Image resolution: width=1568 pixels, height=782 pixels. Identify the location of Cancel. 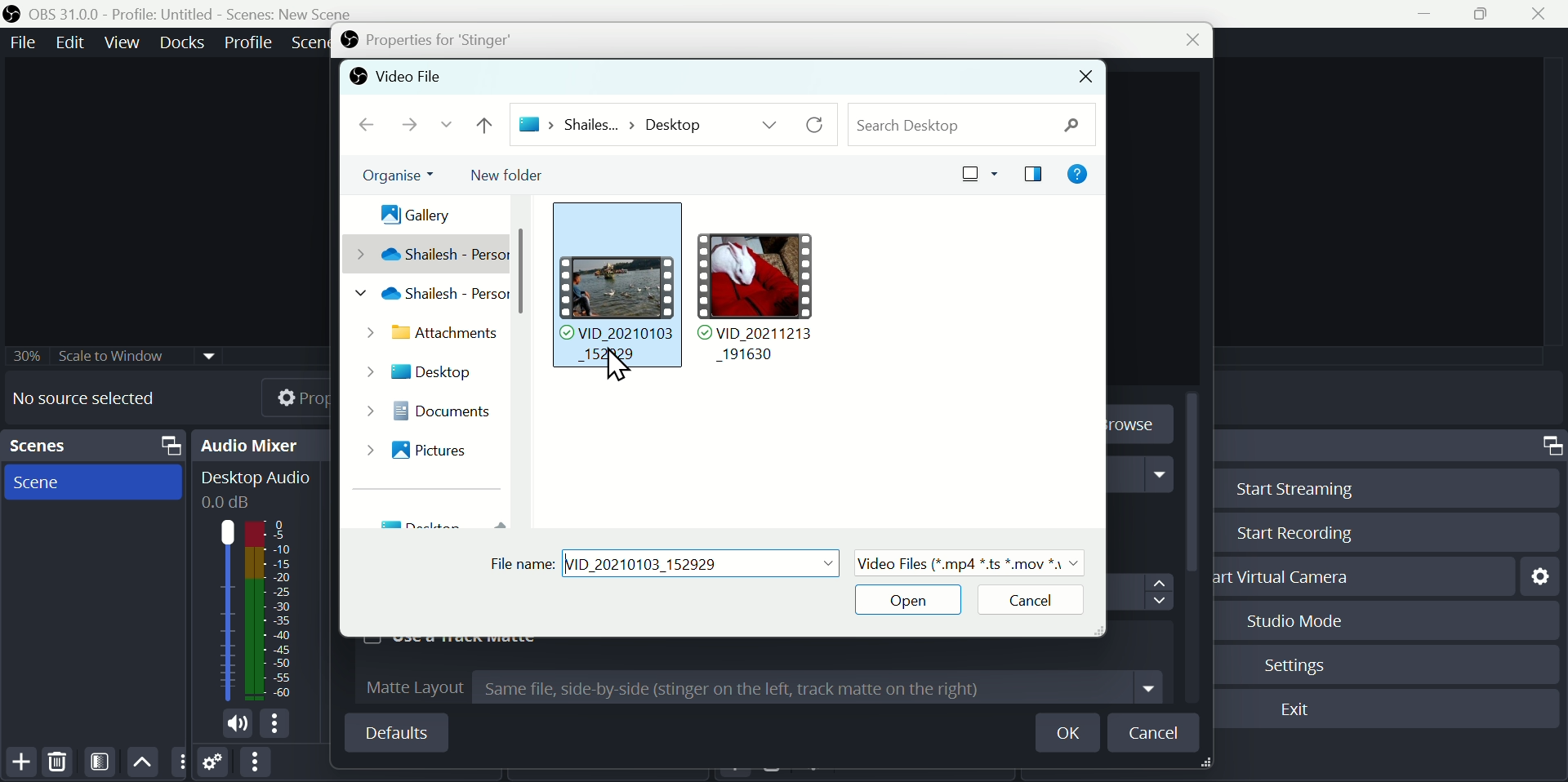
(1024, 602).